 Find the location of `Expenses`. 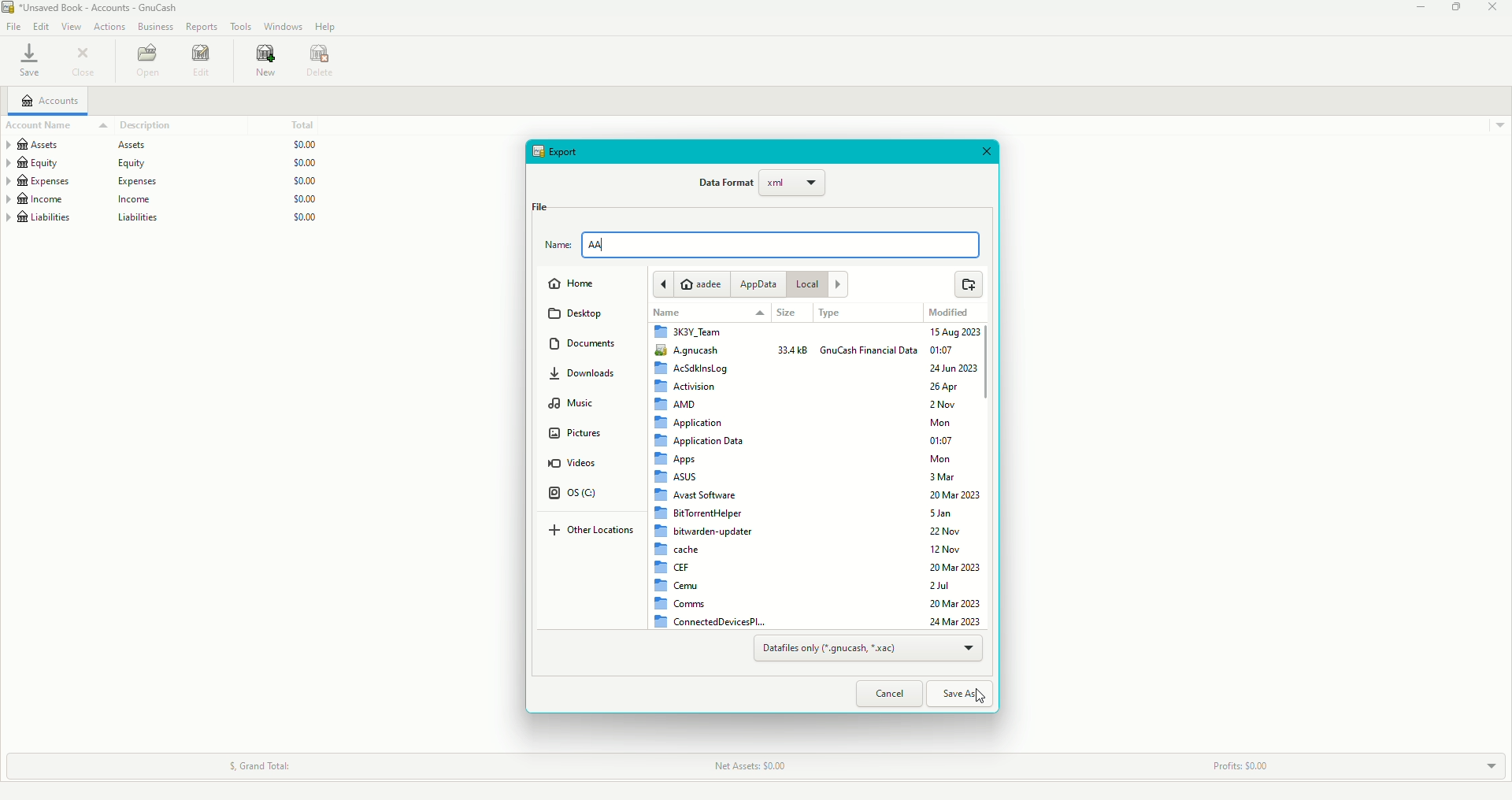

Expenses is located at coordinates (165, 180).